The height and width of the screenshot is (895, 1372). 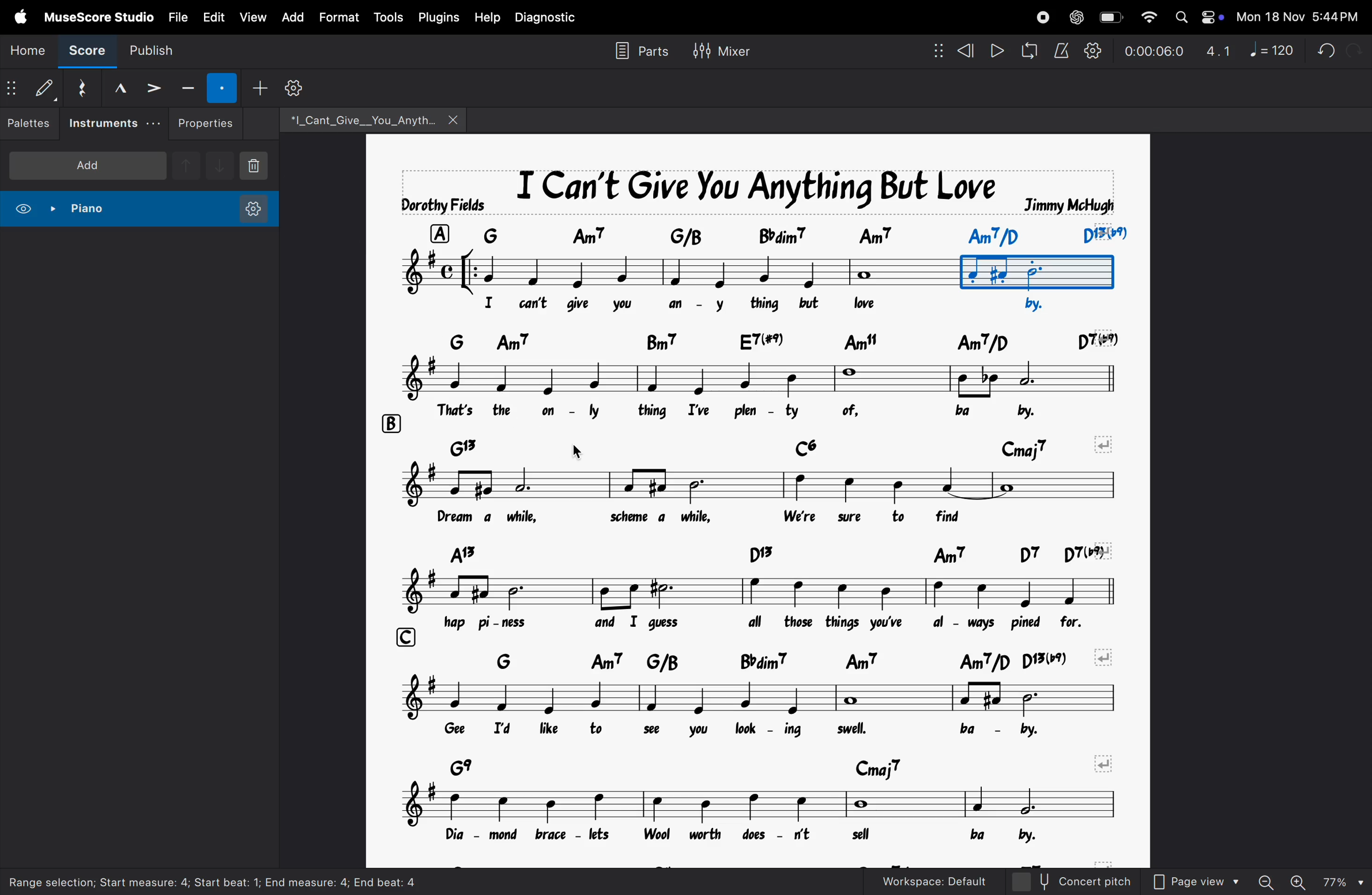 I want to click on tools, so click(x=388, y=17).